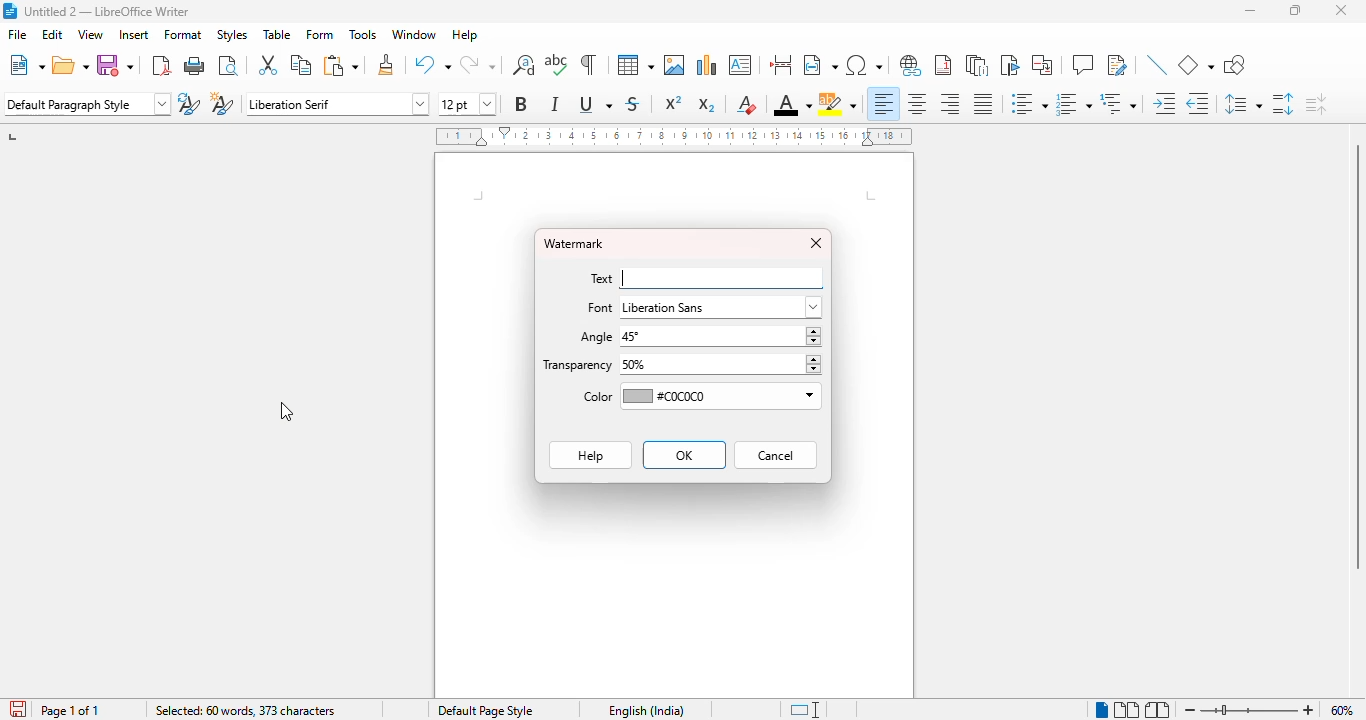  Describe the element at coordinates (288, 412) in the screenshot. I see `cursor` at that location.